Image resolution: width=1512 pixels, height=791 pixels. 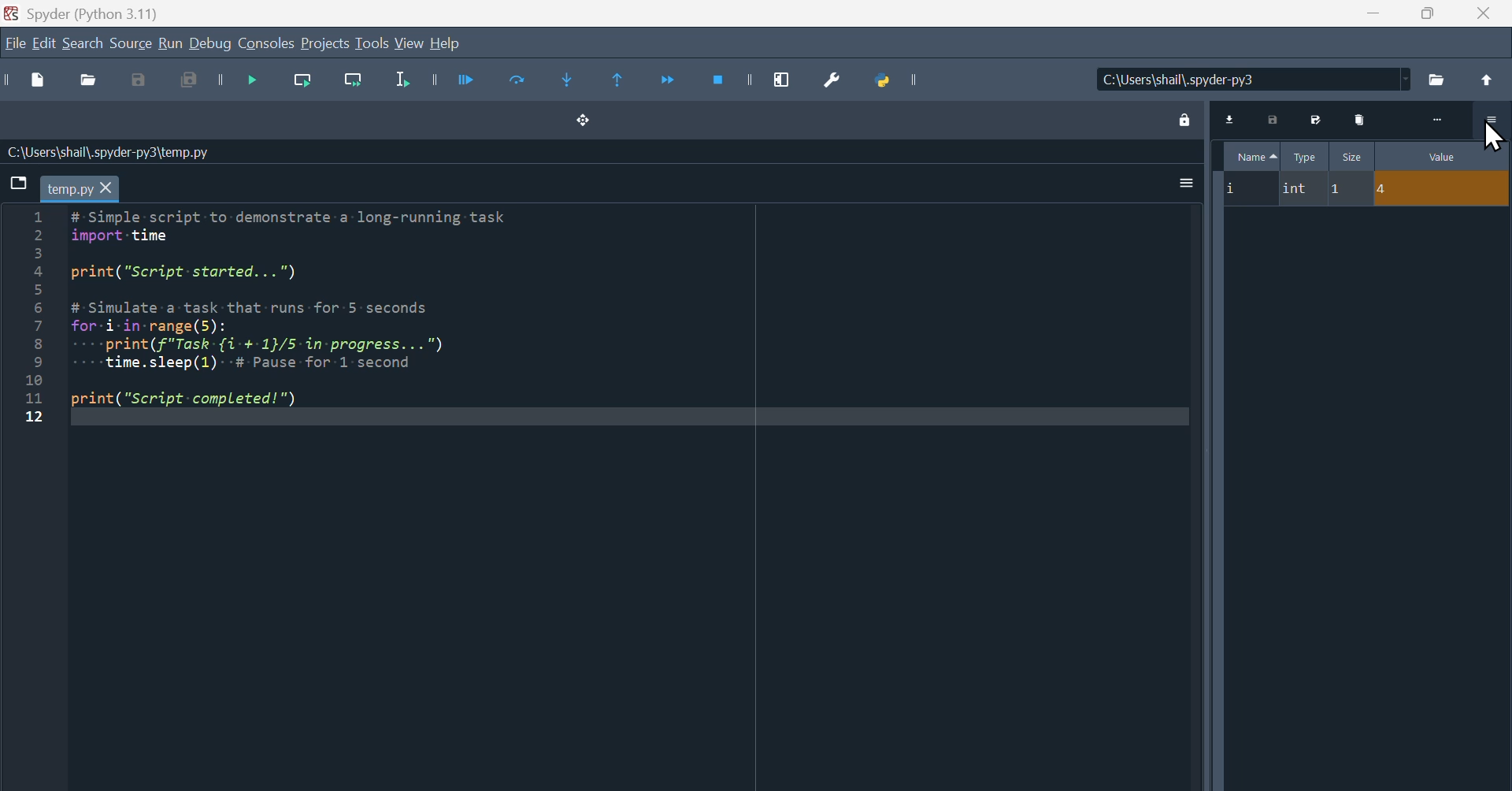 What do you see at coordinates (266, 42) in the screenshot?
I see `Consol` at bounding box center [266, 42].